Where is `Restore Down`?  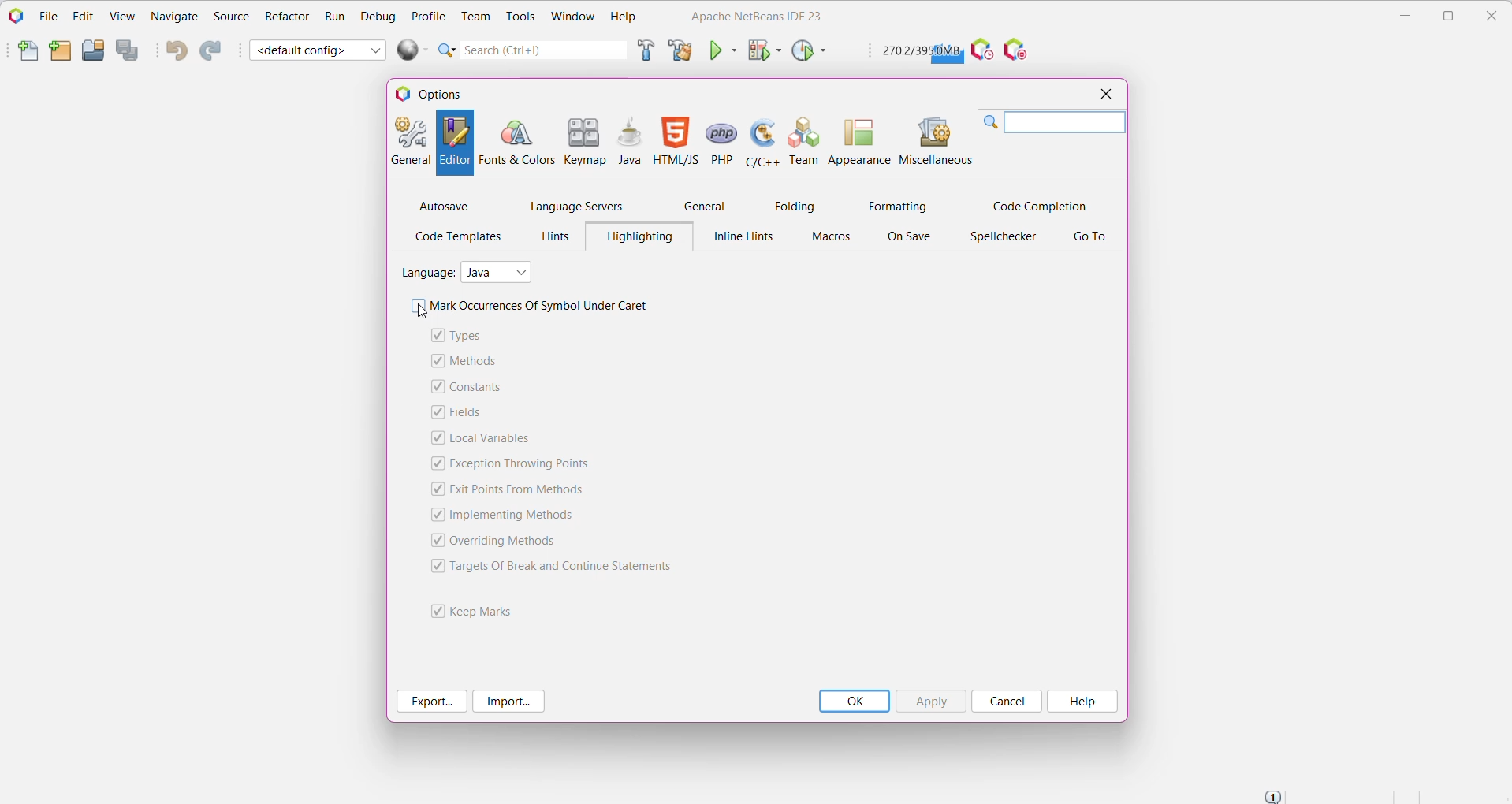
Restore Down is located at coordinates (1449, 16).